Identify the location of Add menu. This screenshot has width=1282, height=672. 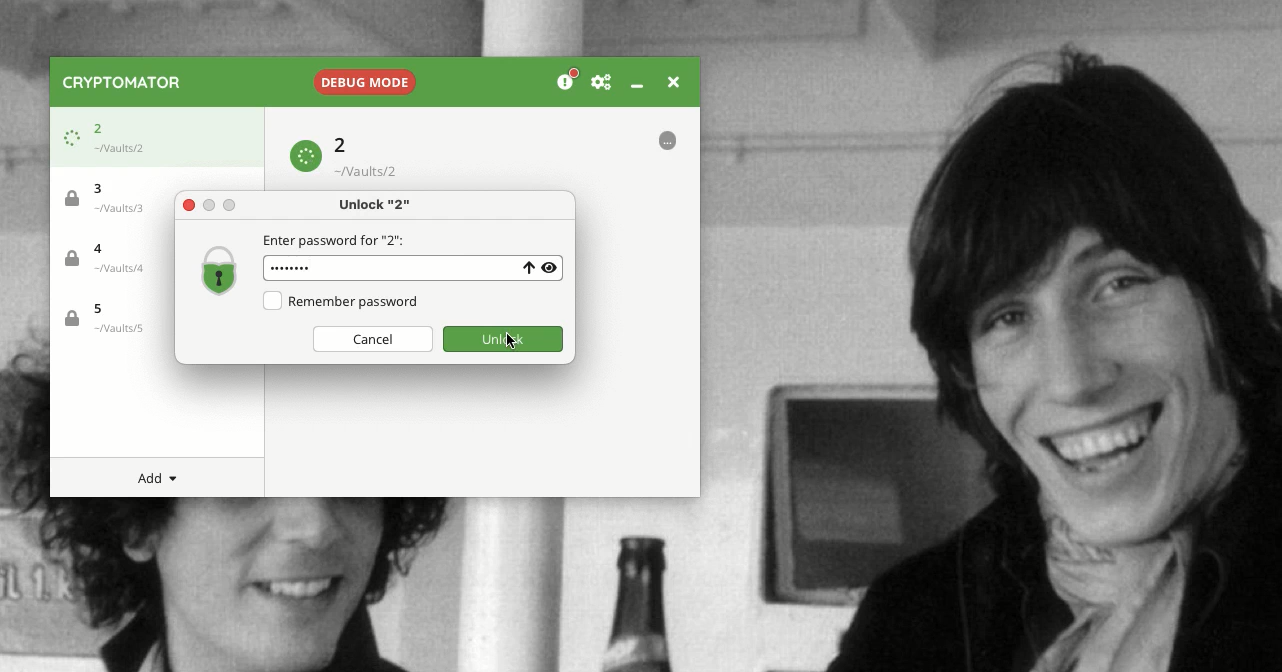
(161, 479).